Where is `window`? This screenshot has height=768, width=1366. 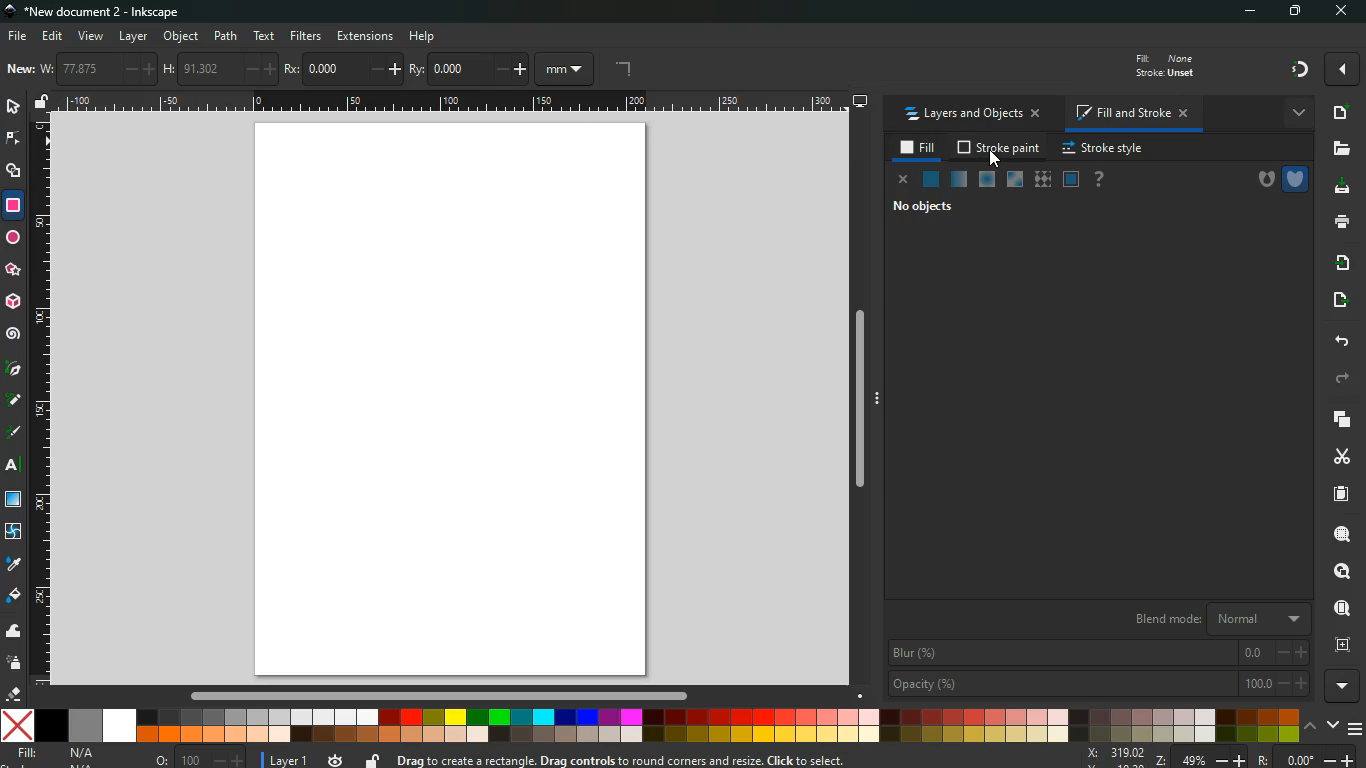
window is located at coordinates (14, 501).